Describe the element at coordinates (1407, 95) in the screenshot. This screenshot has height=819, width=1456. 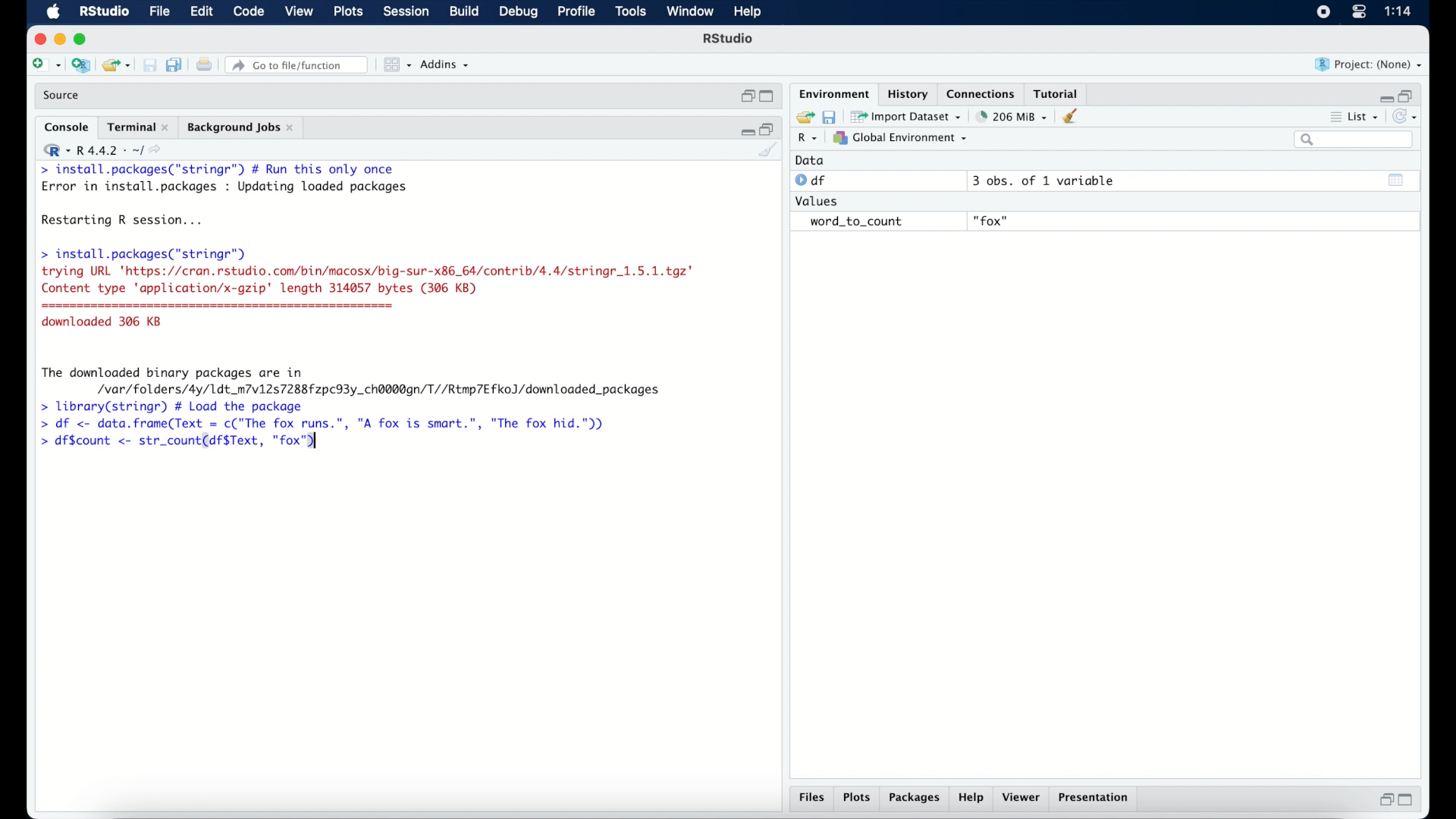
I see `restore down` at that location.